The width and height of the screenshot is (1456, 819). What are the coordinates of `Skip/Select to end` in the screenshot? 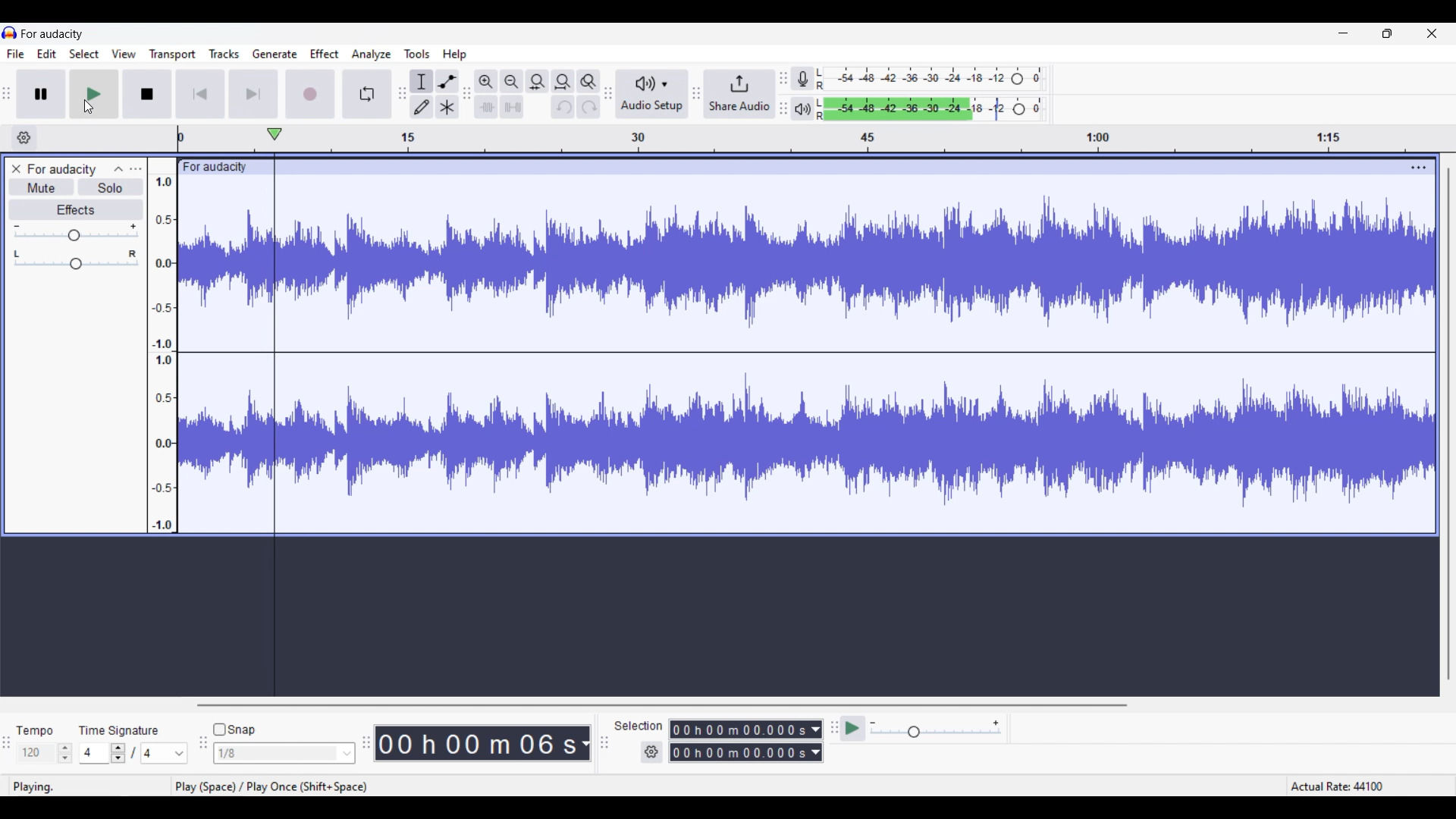 It's located at (253, 94).